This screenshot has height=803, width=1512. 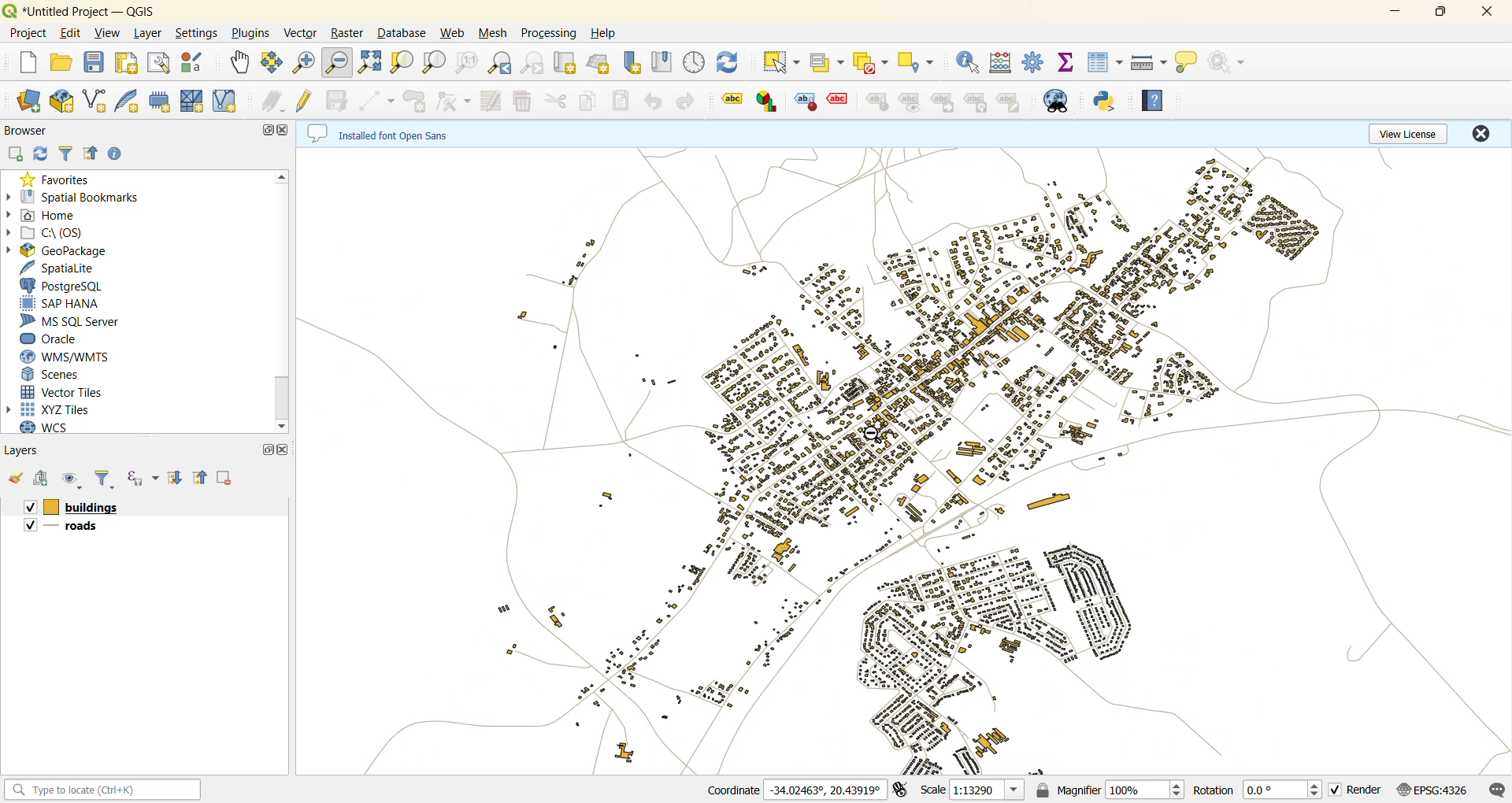 I want to click on edits, so click(x=272, y=102).